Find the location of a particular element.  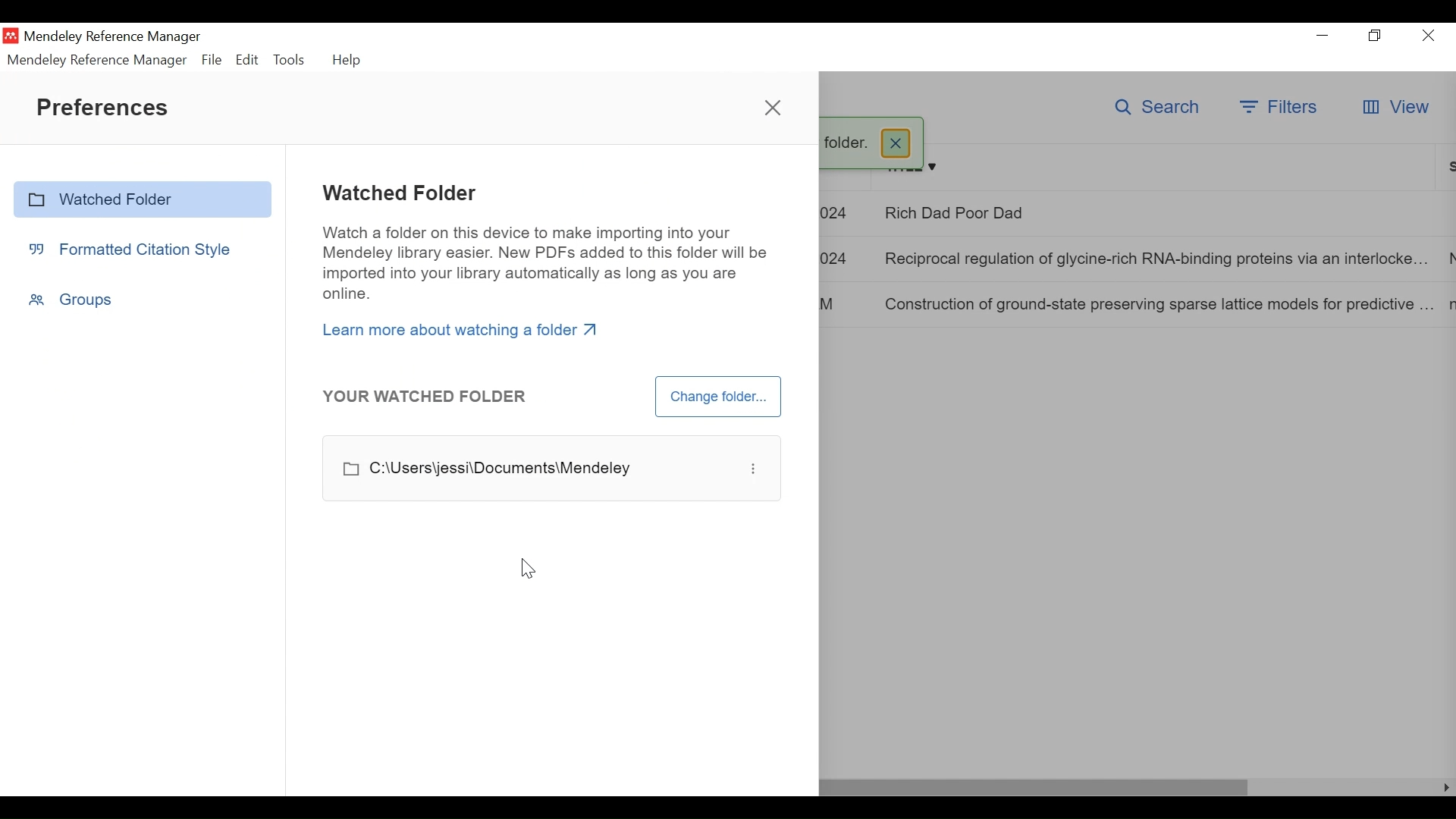

minimize is located at coordinates (1323, 34).